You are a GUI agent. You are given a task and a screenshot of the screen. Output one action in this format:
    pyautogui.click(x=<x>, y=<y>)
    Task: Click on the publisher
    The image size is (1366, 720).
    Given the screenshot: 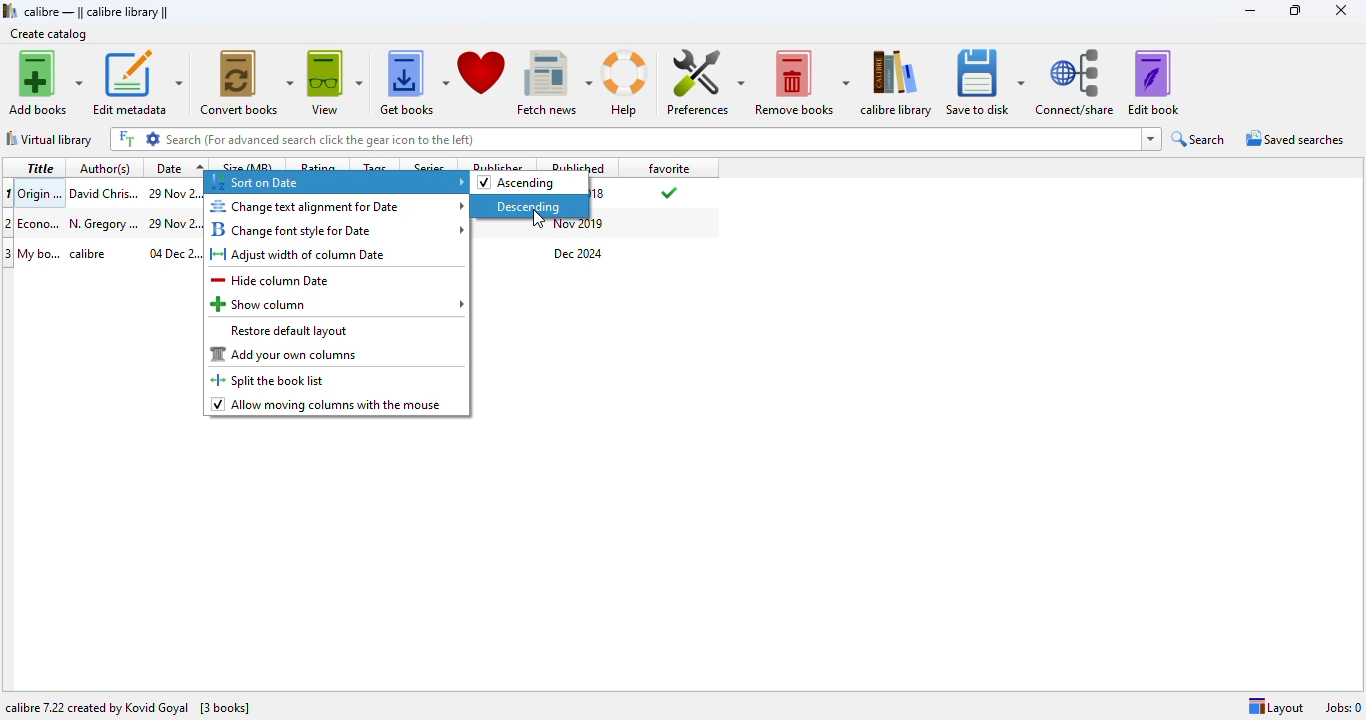 What is the action you would take?
    pyautogui.click(x=498, y=164)
    